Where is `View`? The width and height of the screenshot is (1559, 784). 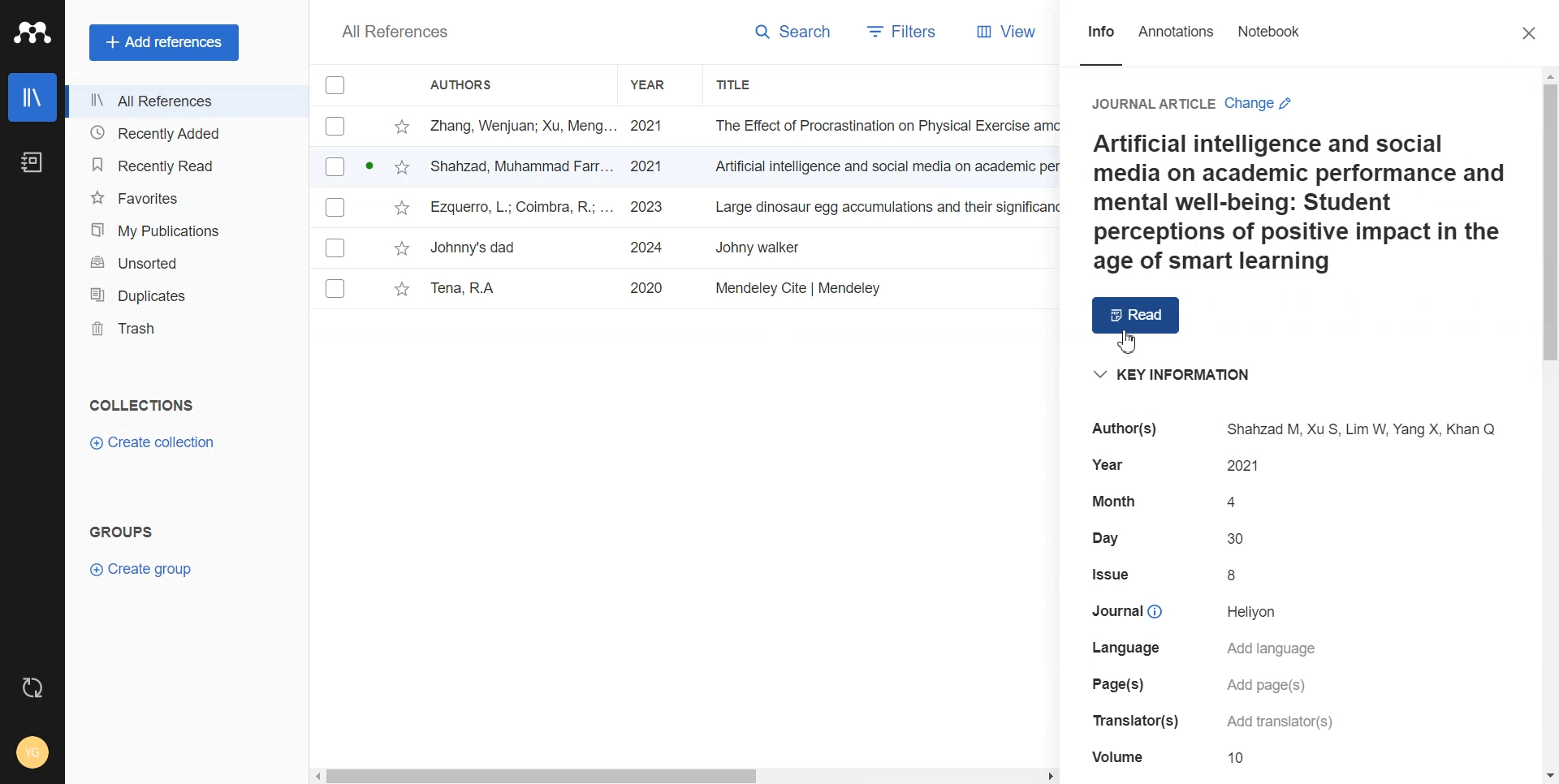
View is located at coordinates (1000, 32).